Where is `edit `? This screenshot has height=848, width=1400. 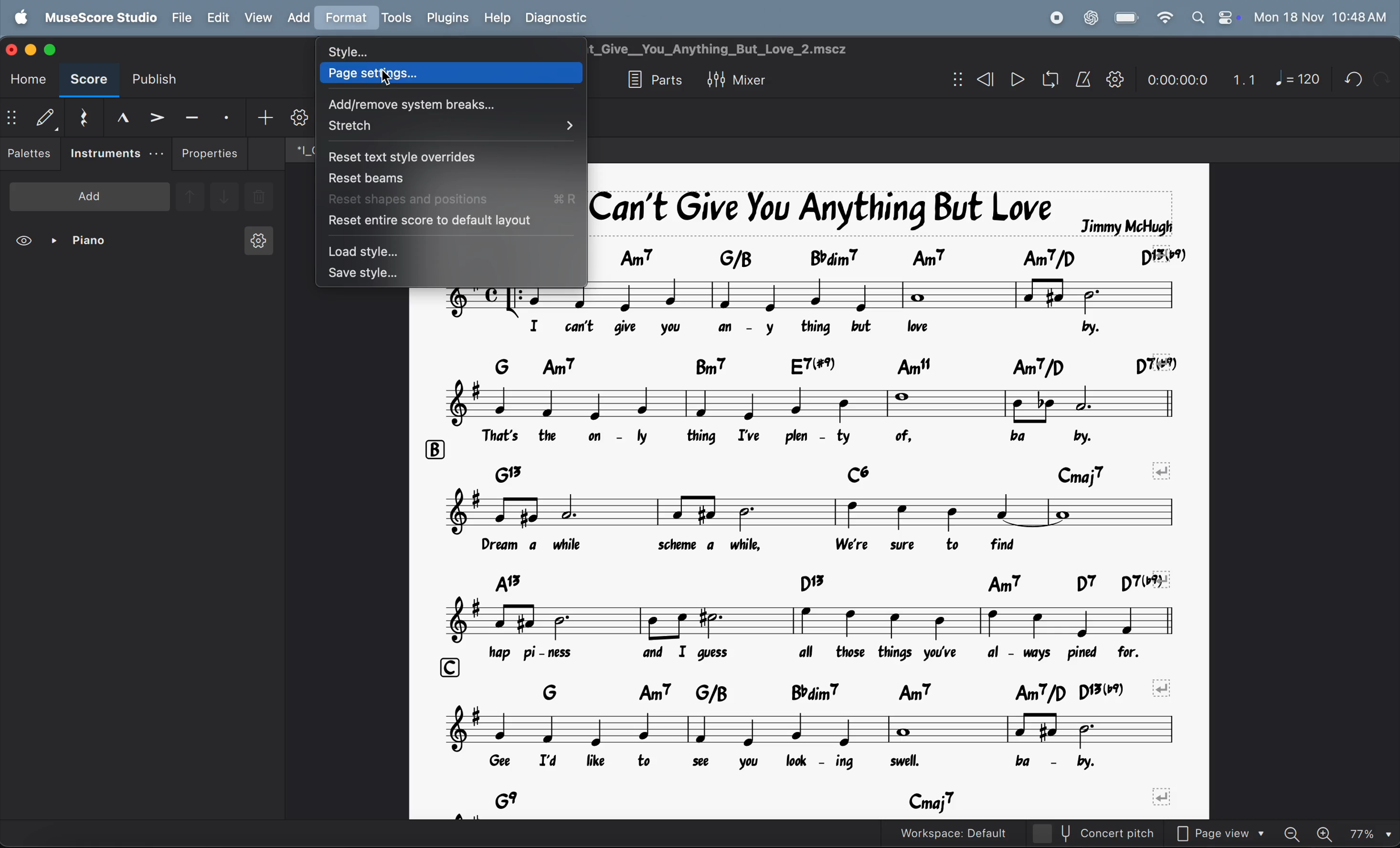 edit  is located at coordinates (217, 18).